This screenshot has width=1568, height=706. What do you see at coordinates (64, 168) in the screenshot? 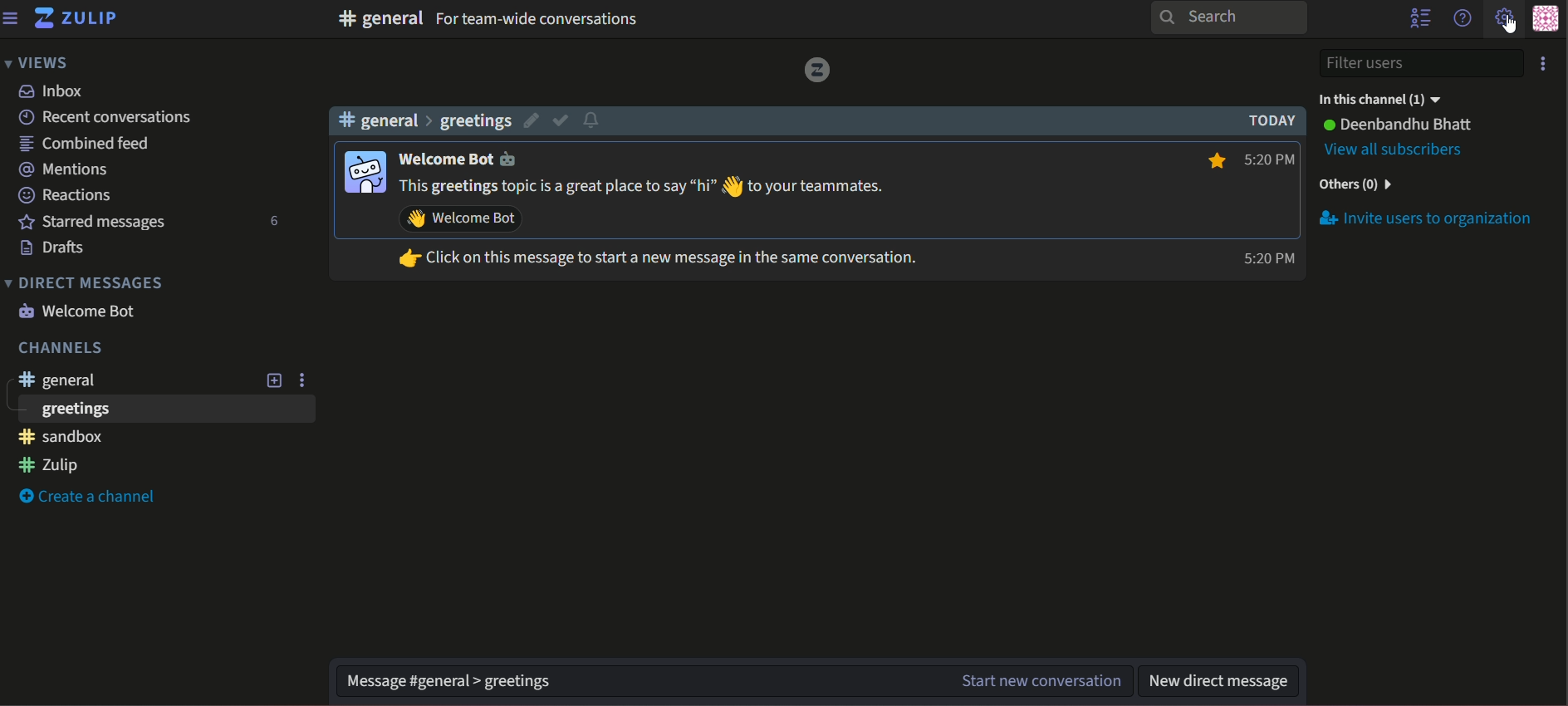
I see `mentions` at bounding box center [64, 168].